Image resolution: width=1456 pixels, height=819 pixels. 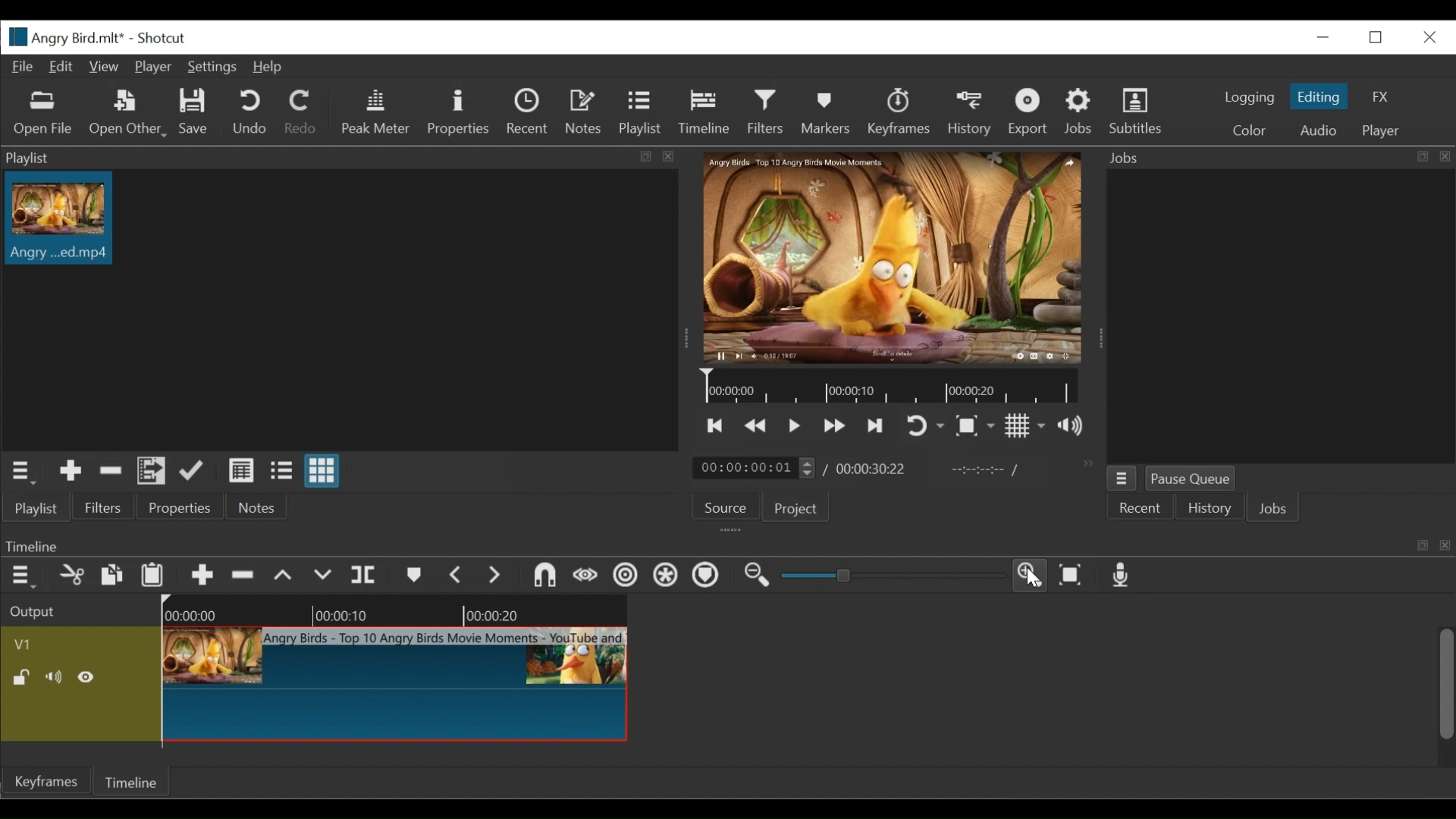 I want to click on Open Other File, so click(x=45, y=114).